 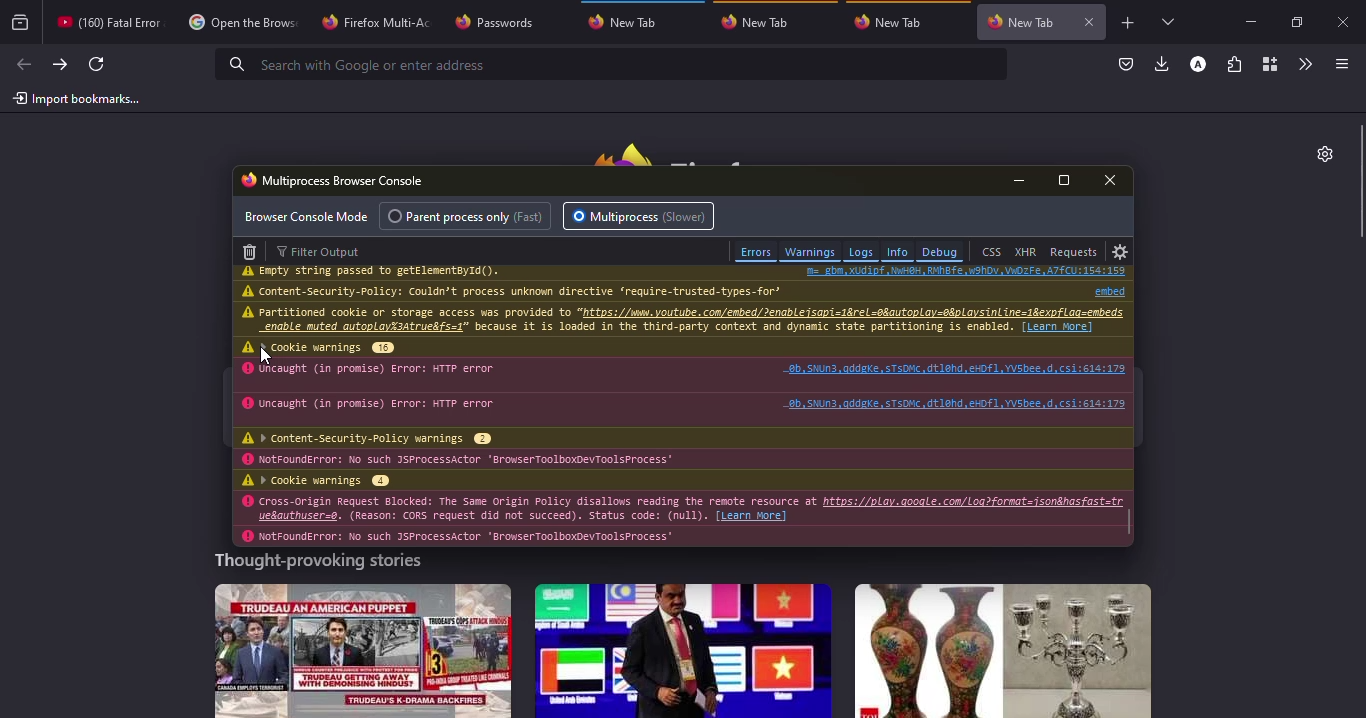 I want to click on profile, so click(x=1197, y=64).